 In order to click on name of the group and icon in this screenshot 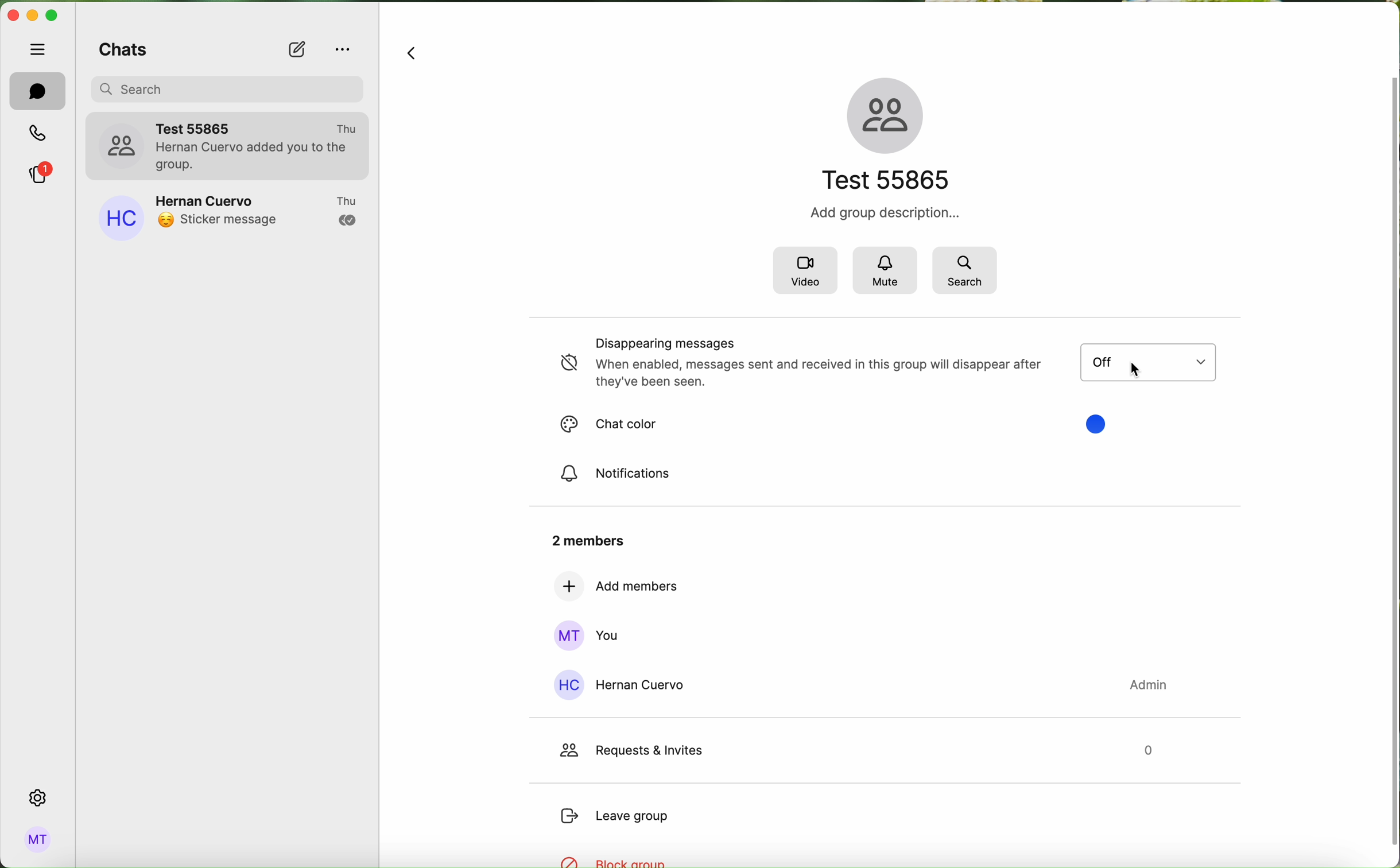, I will do `click(885, 134)`.